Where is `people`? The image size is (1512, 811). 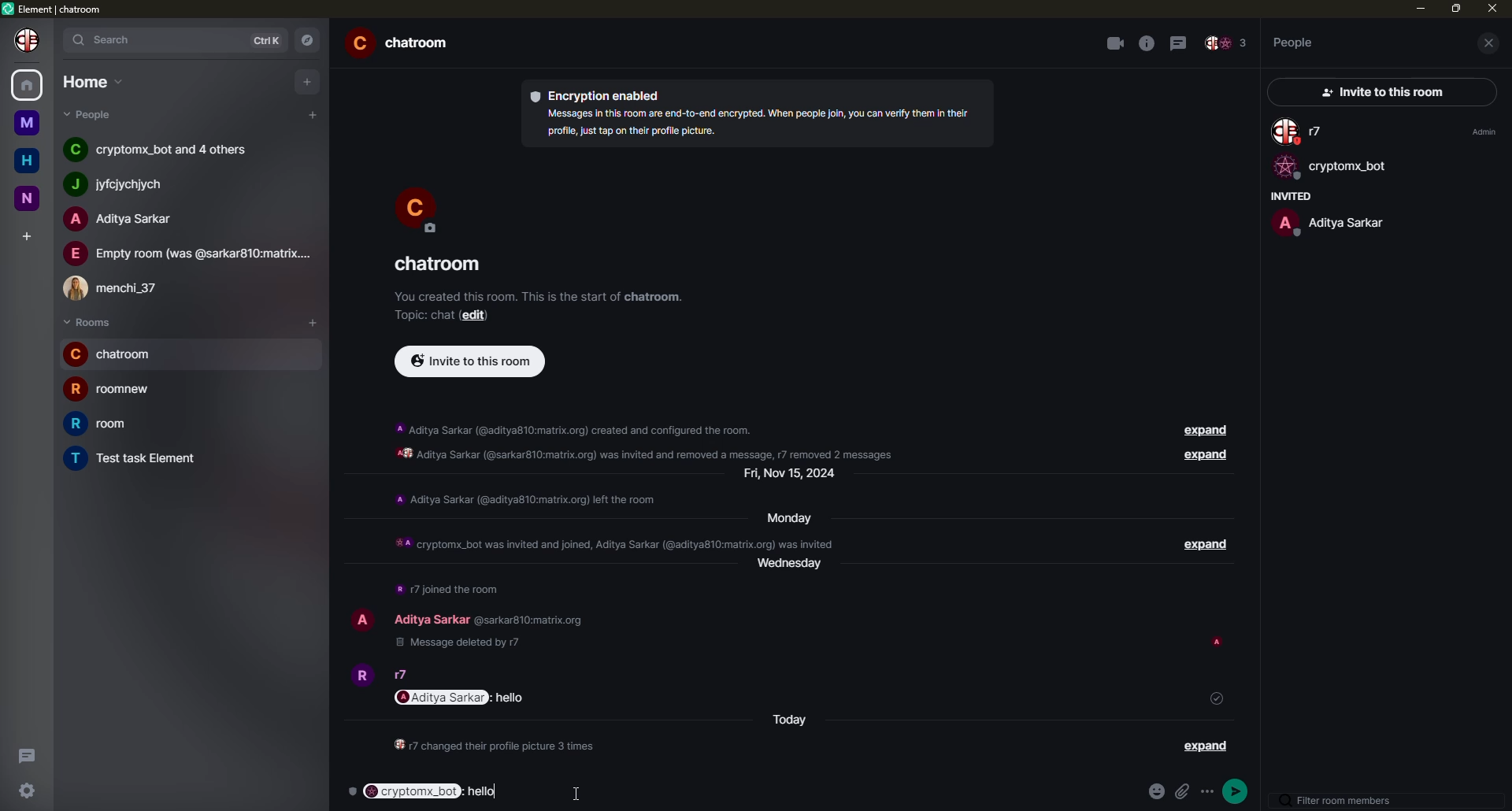
people is located at coordinates (161, 147).